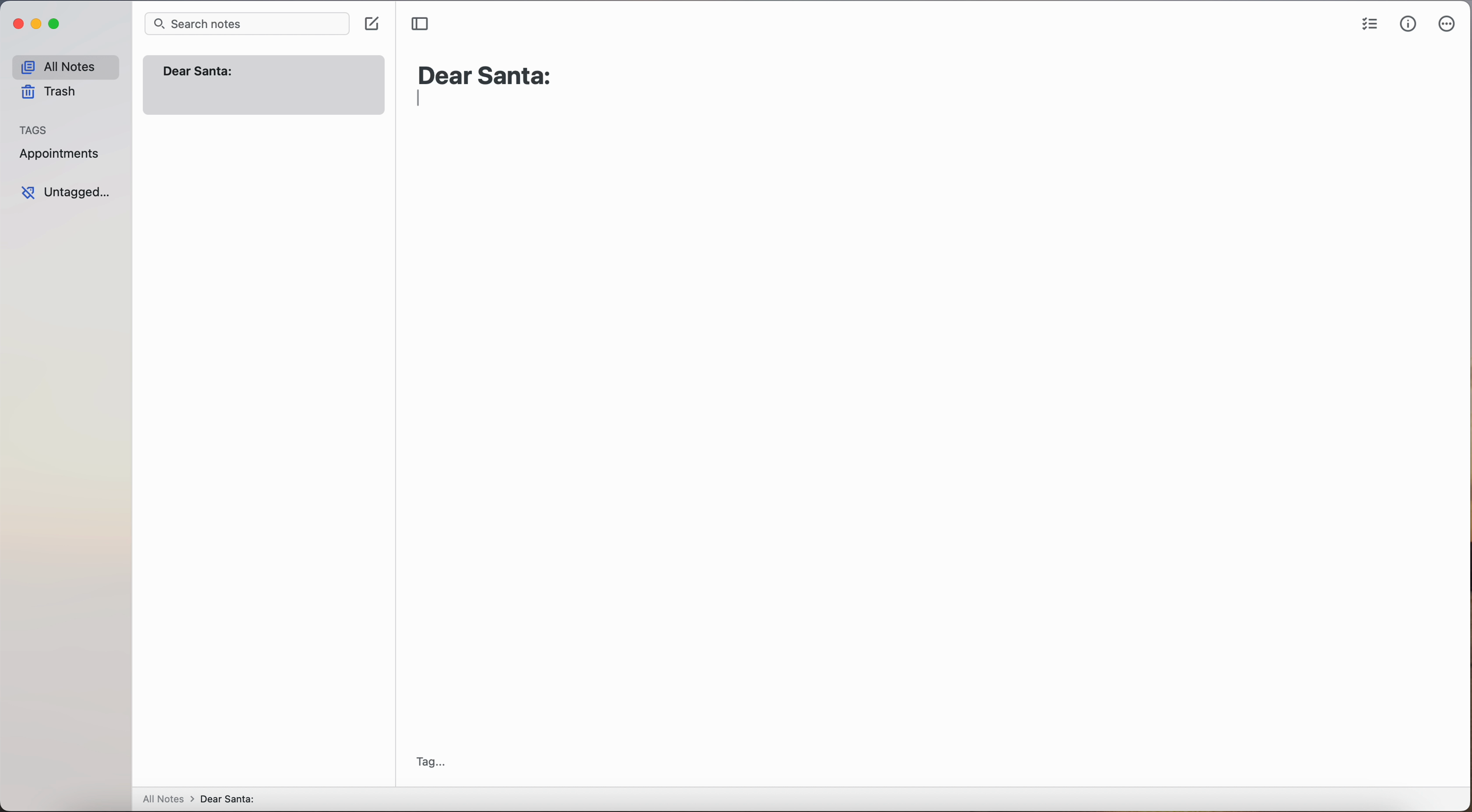 This screenshot has width=1472, height=812. I want to click on close app, so click(17, 26).